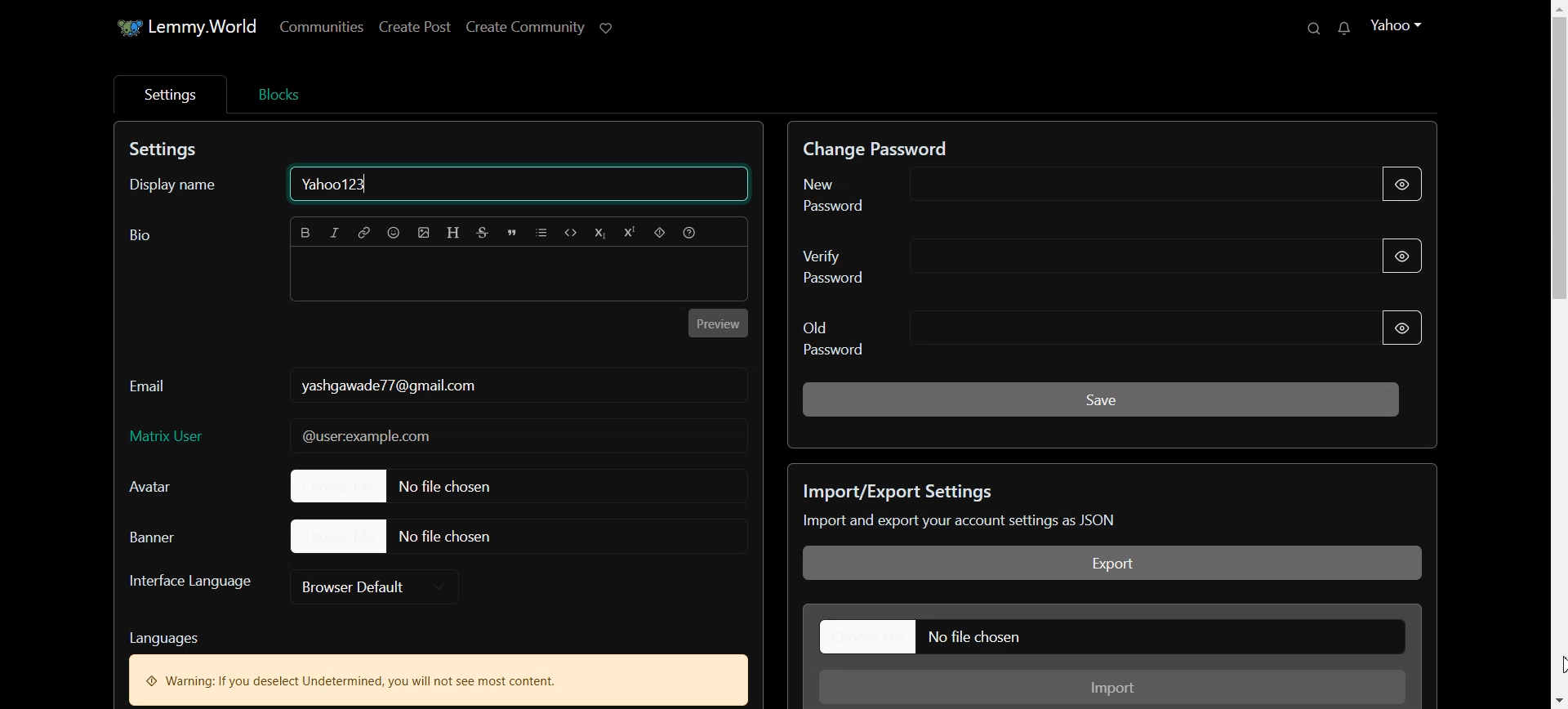  I want to click on Preview, so click(719, 323).